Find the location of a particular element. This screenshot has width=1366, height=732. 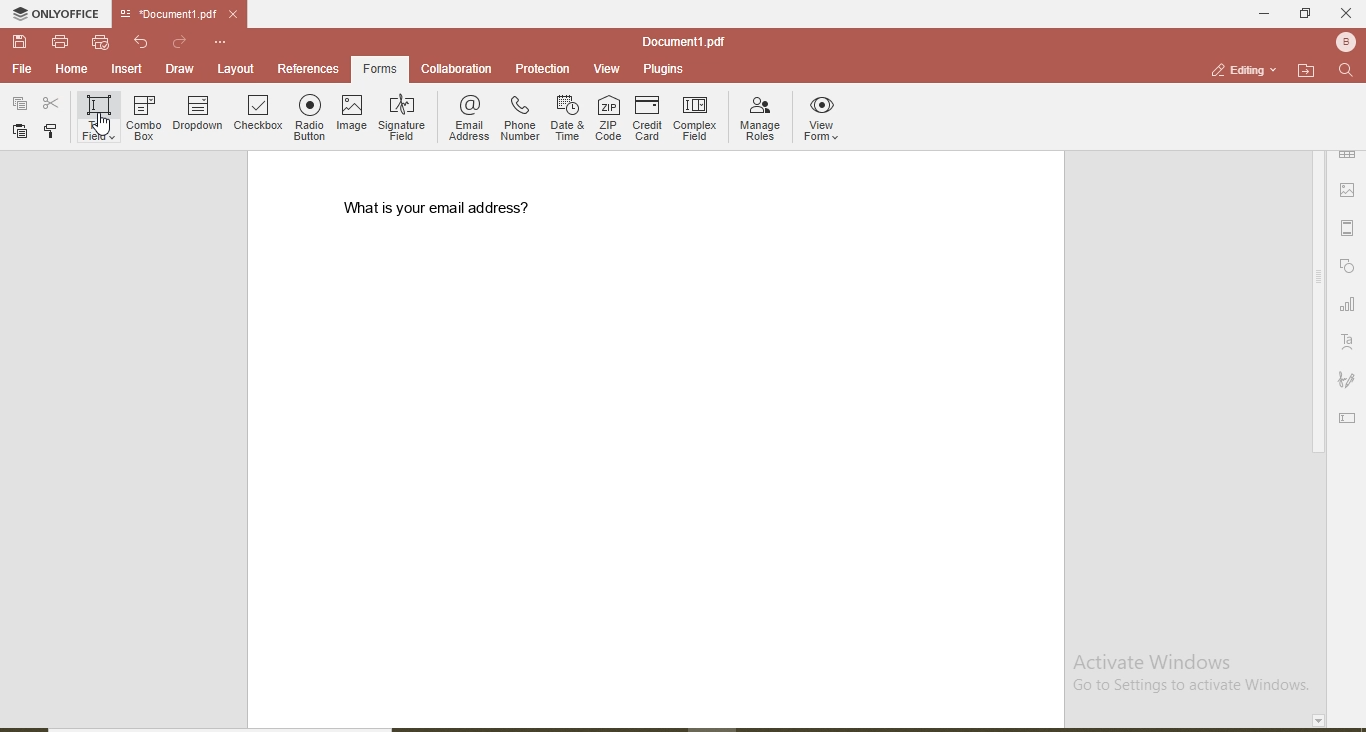

what is your email address? is located at coordinates (447, 208).